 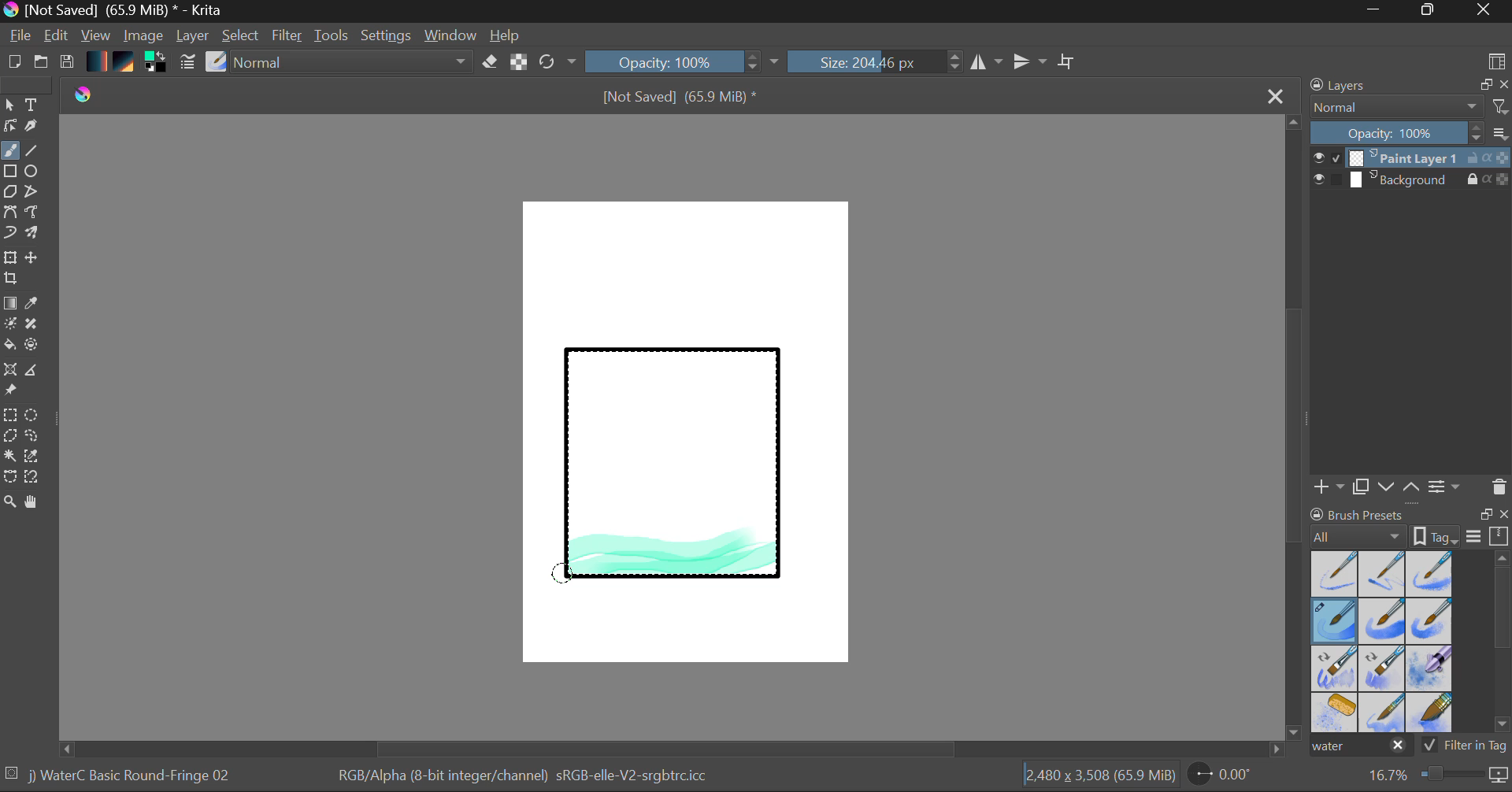 I want to click on Eraser, so click(x=491, y=62).